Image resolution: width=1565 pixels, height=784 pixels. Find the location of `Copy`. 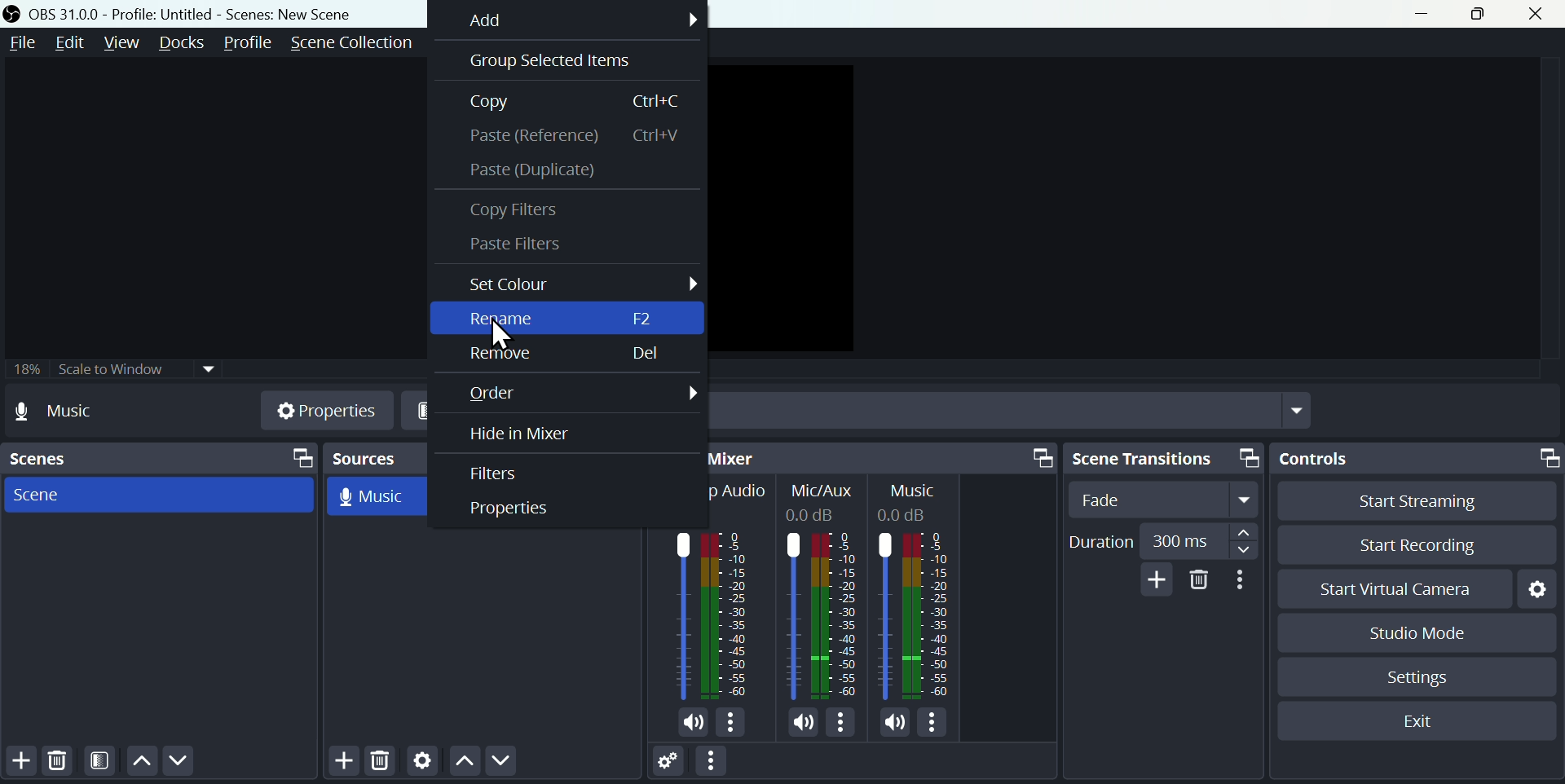

Copy is located at coordinates (561, 101).